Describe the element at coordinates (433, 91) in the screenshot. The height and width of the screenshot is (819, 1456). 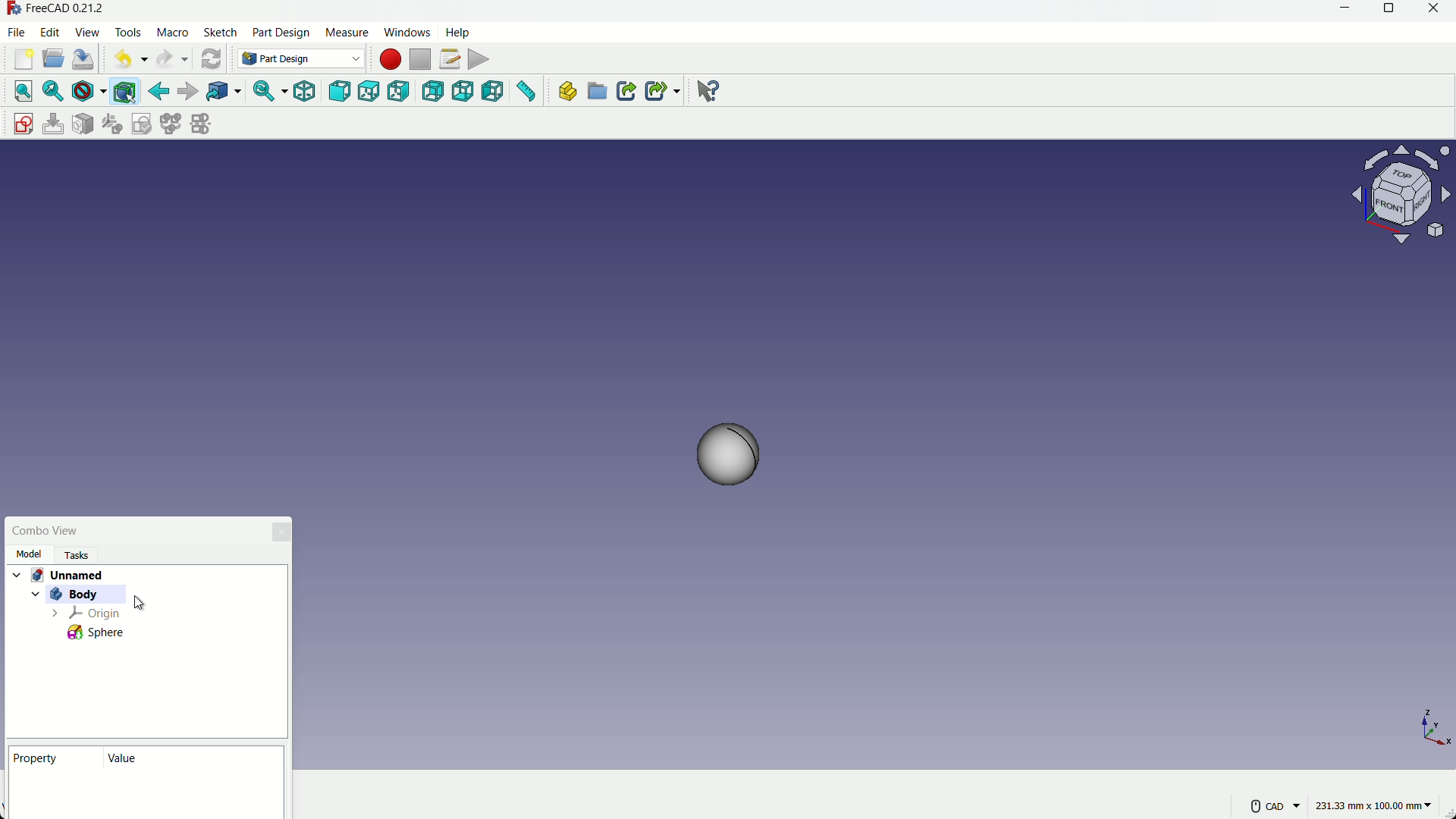
I see `back view` at that location.